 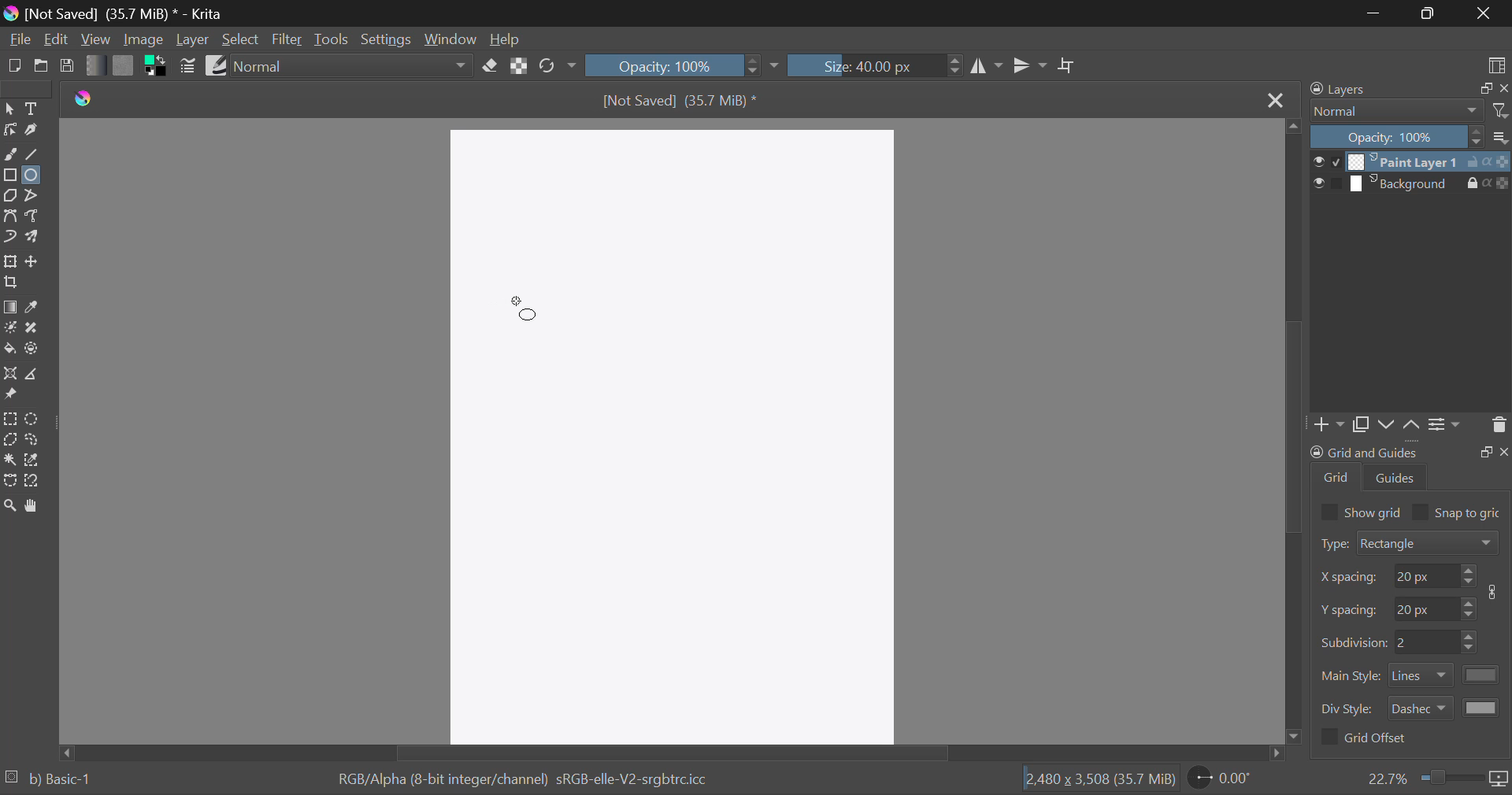 What do you see at coordinates (9, 462) in the screenshot?
I see `Continuous Selection` at bounding box center [9, 462].